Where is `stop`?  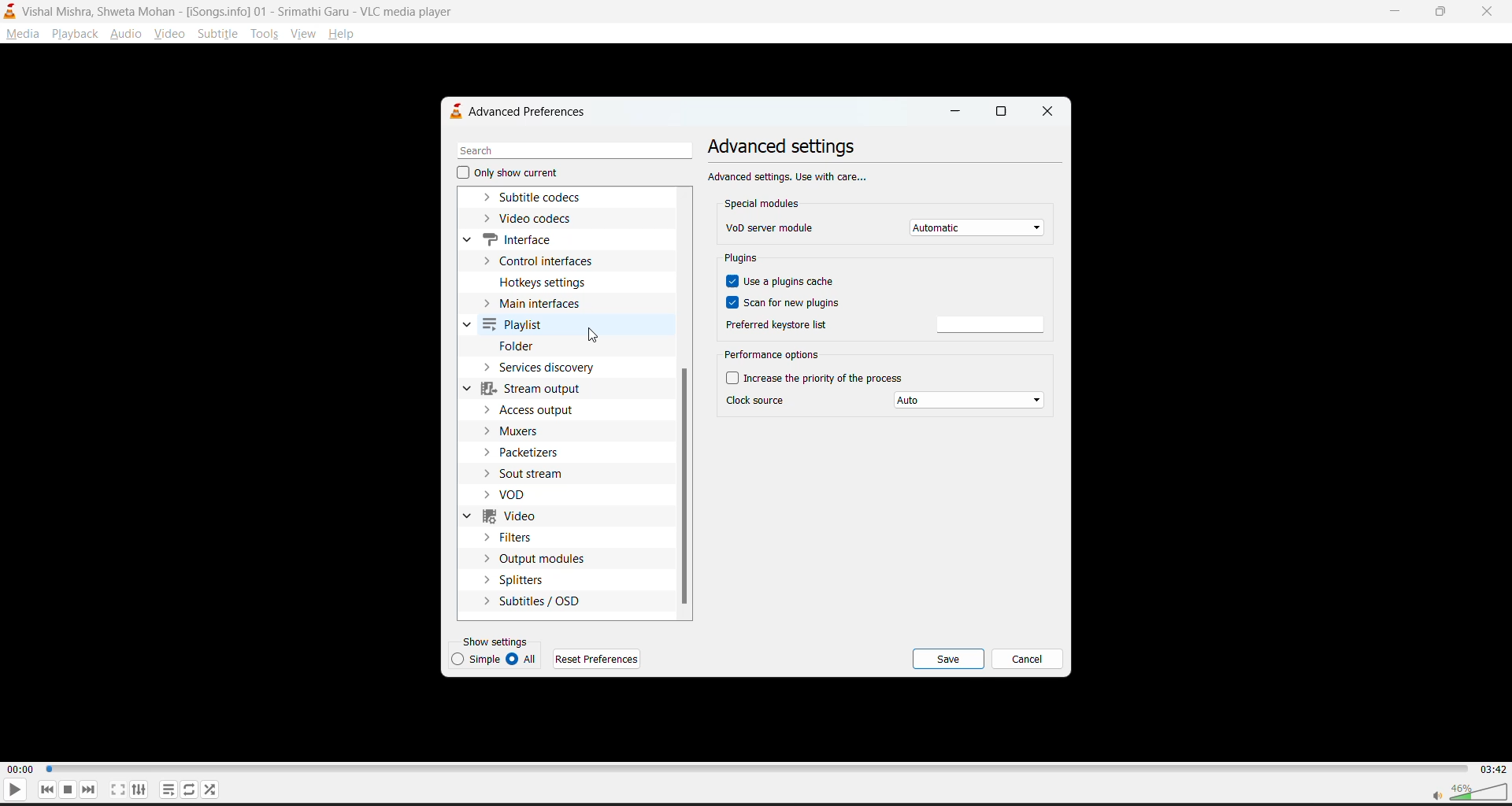
stop is located at coordinates (65, 788).